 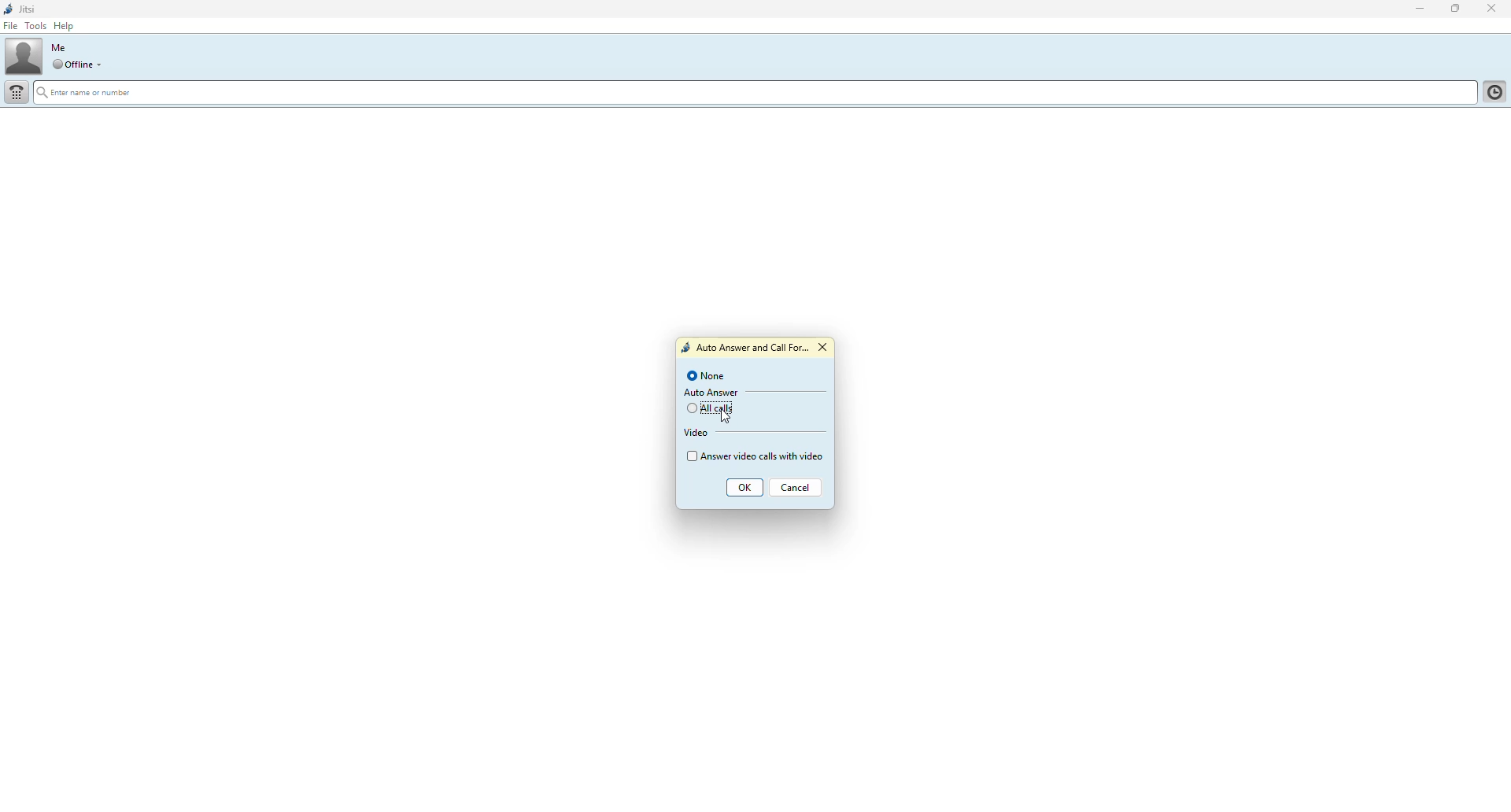 What do you see at coordinates (1452, 10) in the screenshot?
I see `maximize` at bounding box center [1452, 10].